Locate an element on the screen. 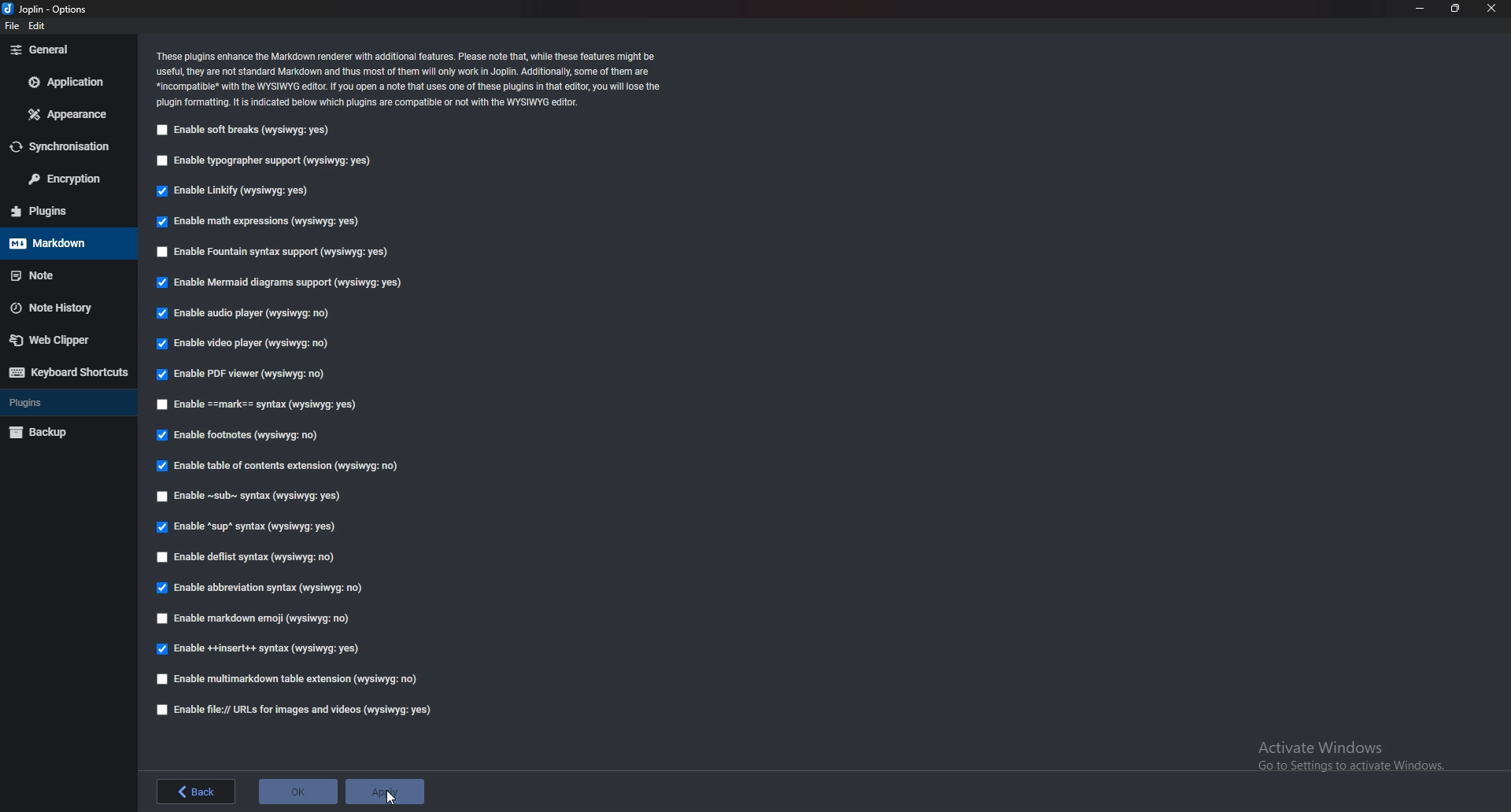 The width and height of the screenshot is (1511, 812). Enable sub syntax is located at coordinates (249, 497).